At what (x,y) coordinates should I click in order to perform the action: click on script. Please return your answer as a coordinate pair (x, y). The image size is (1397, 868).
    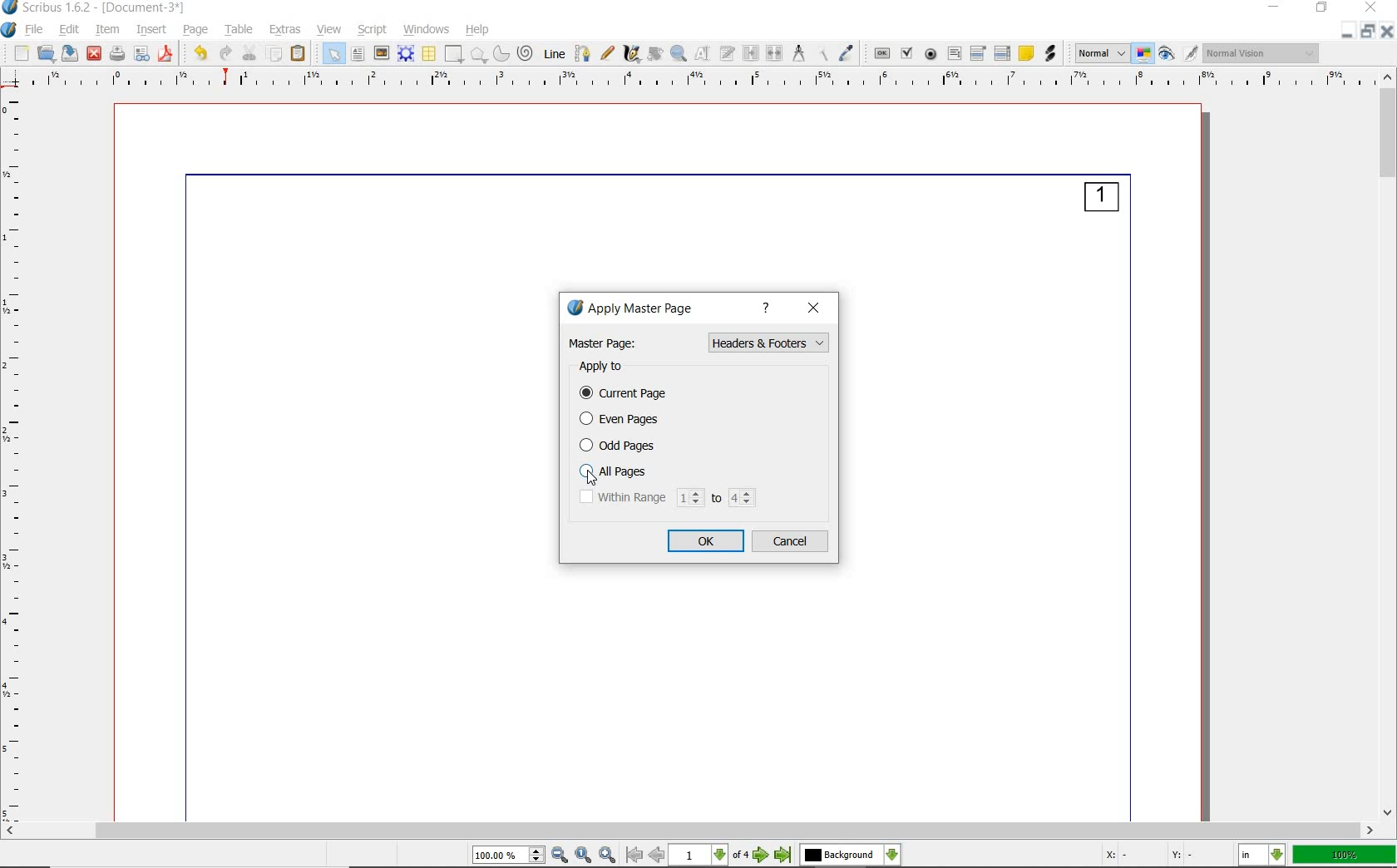
    Looking at the image, I should click on (371, 31).